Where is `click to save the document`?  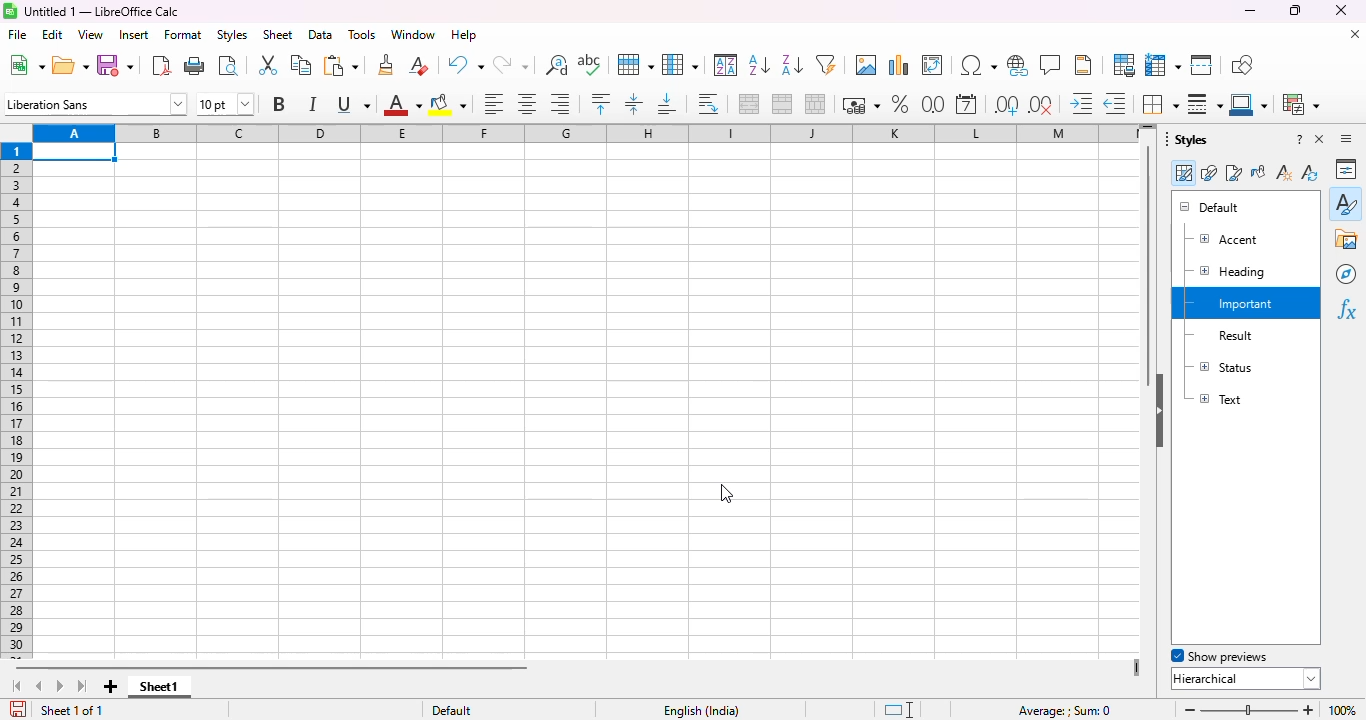 click to save the document is located at coordinates (18, 709).